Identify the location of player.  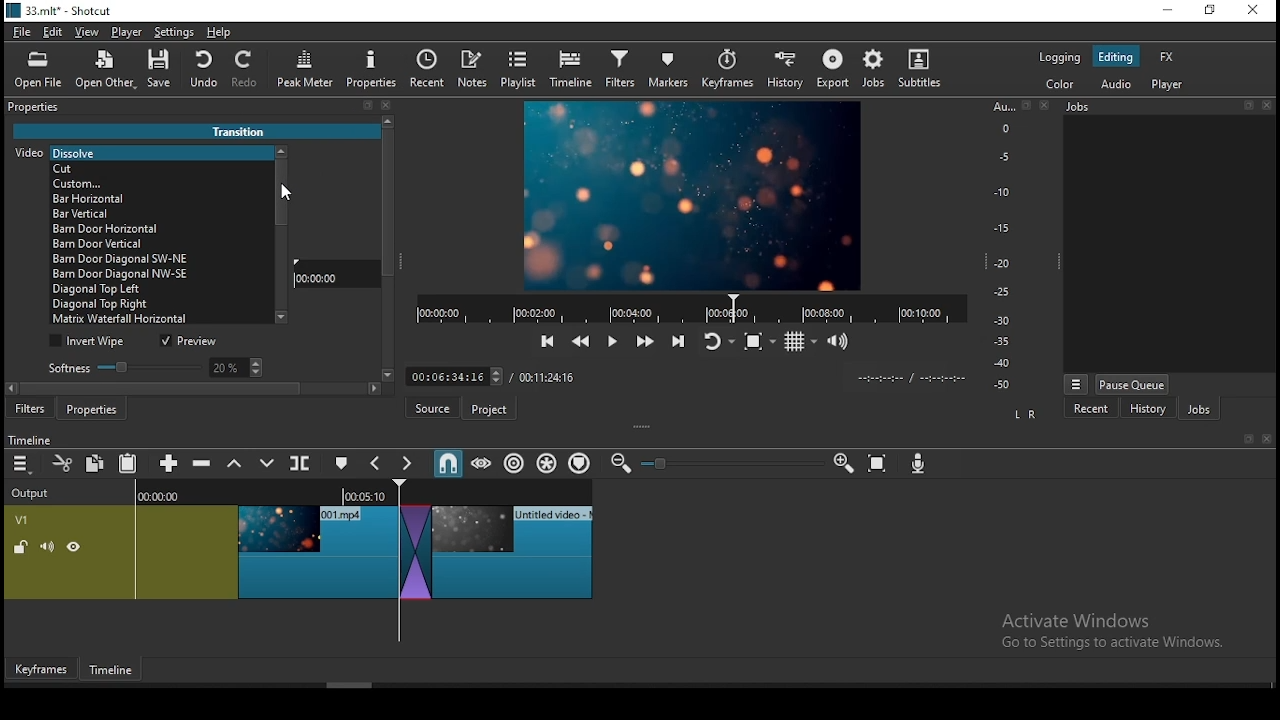
(127, 33).